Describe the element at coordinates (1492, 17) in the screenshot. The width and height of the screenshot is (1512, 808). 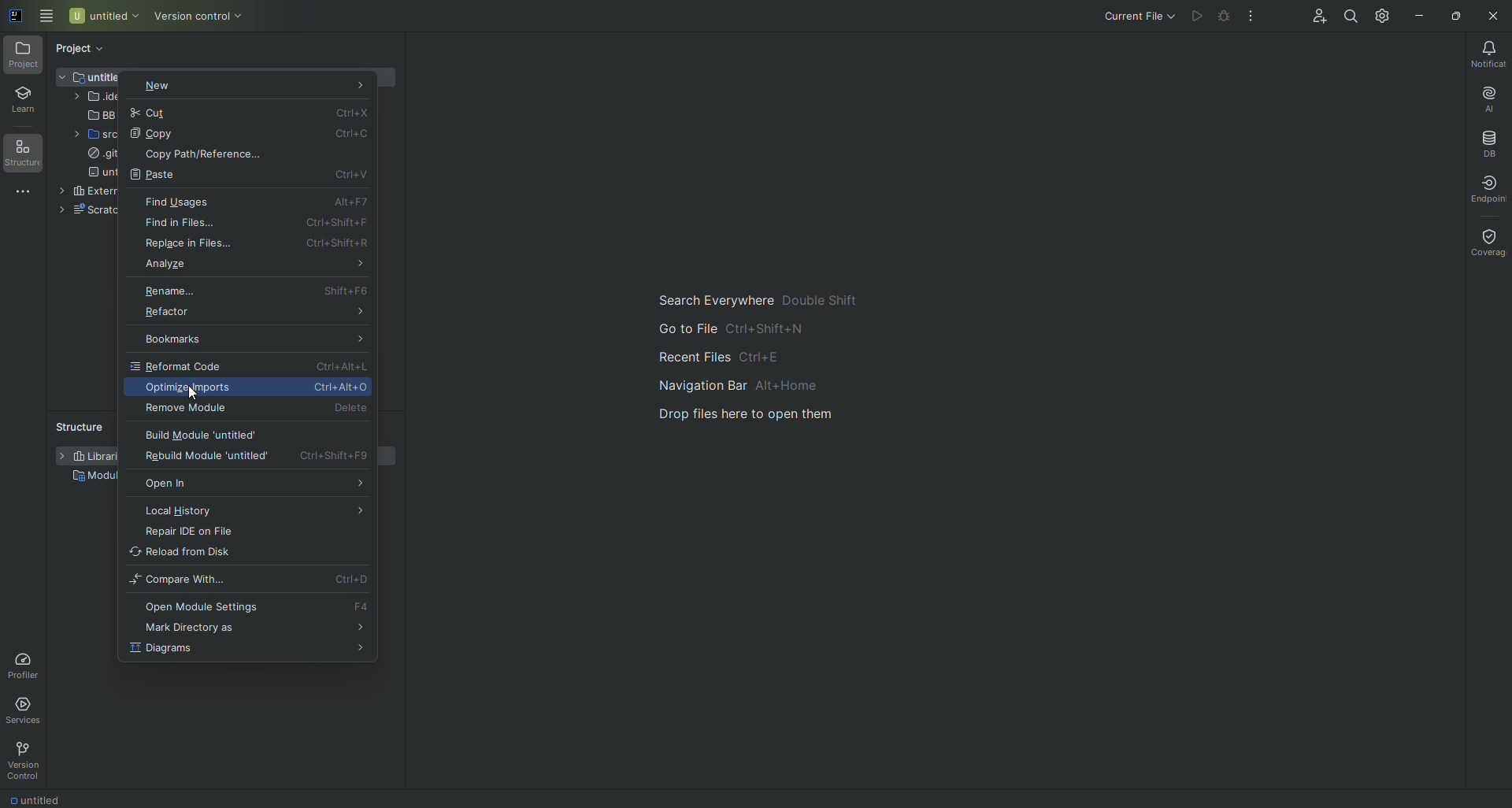
I see `Close` at that location.